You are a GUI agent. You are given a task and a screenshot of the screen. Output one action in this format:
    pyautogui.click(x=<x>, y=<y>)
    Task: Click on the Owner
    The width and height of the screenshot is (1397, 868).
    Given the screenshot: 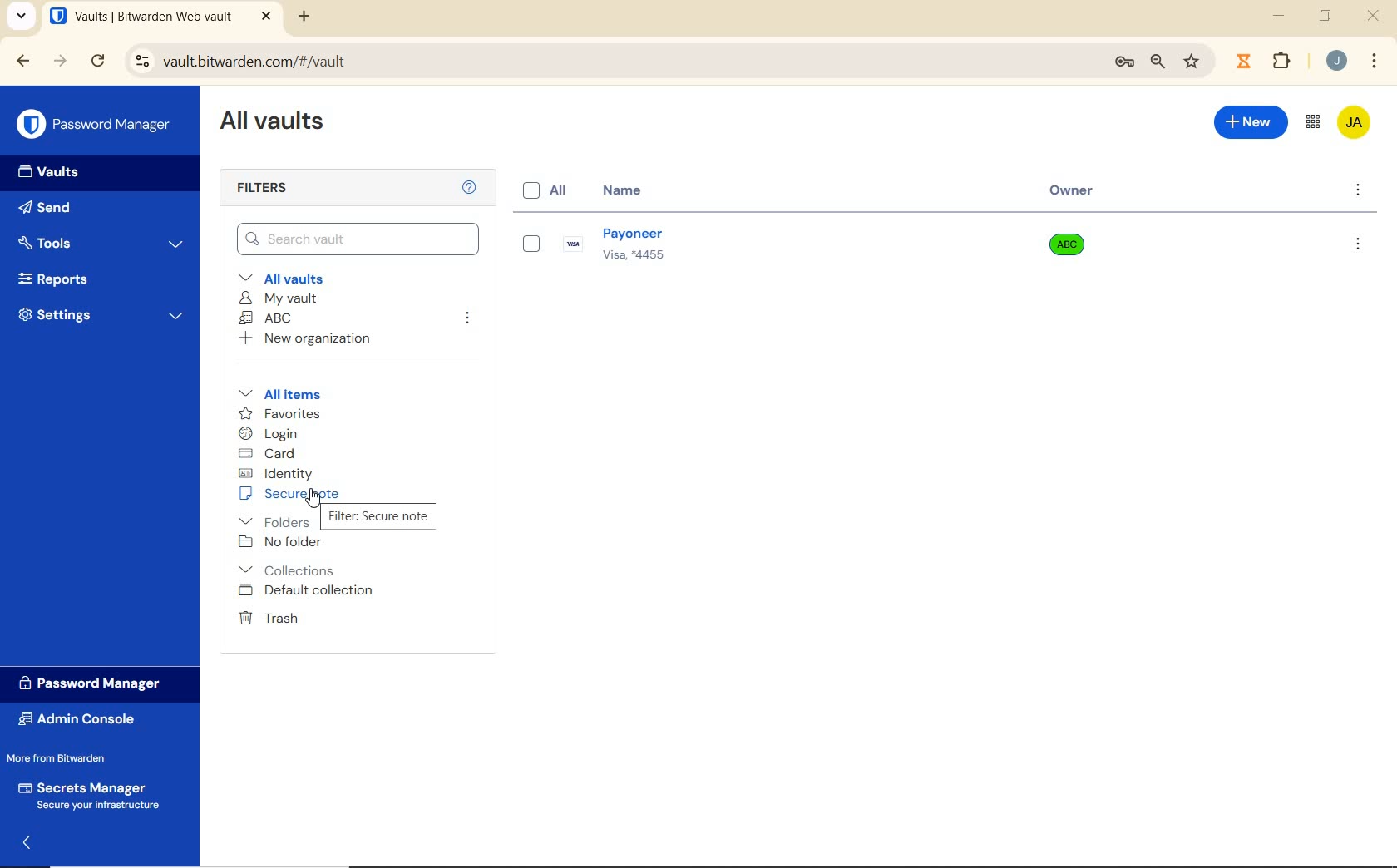 What is the action you would take?
    pyautogui.click(x=1074, y=191)
    